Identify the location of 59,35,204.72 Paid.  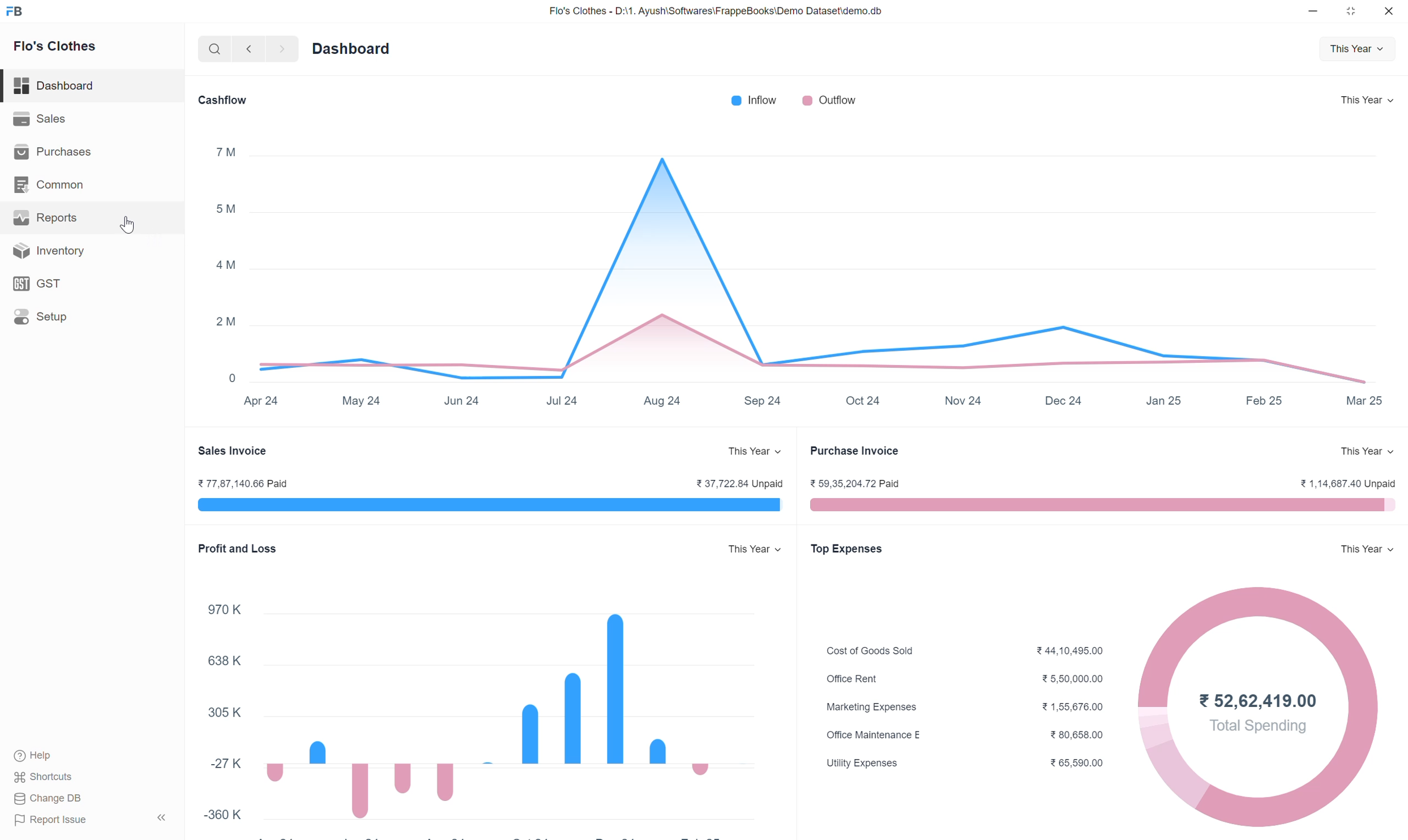
(856, 483).